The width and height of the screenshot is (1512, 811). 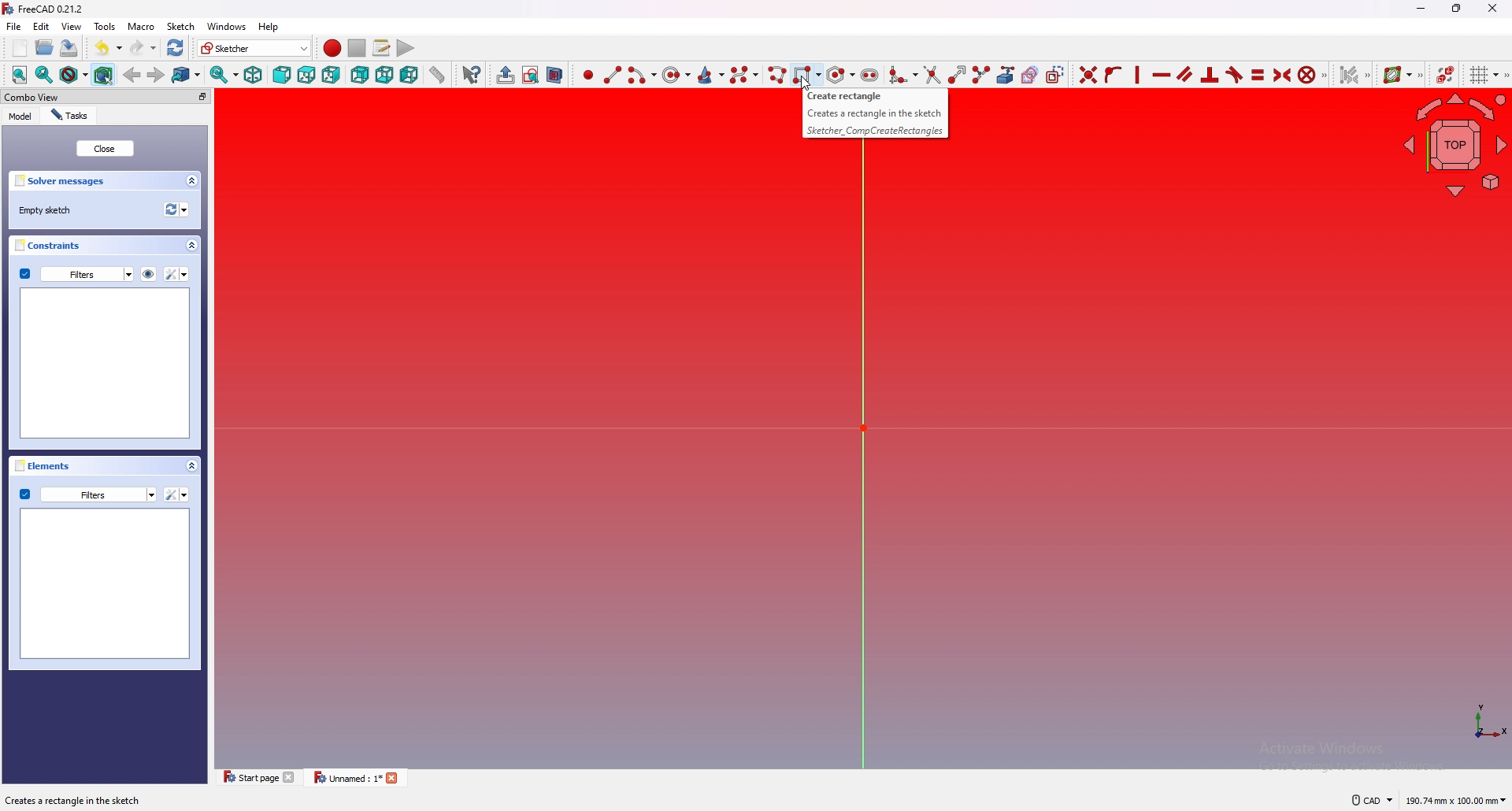 I want to click on isometric, so click(x=254, y=75).